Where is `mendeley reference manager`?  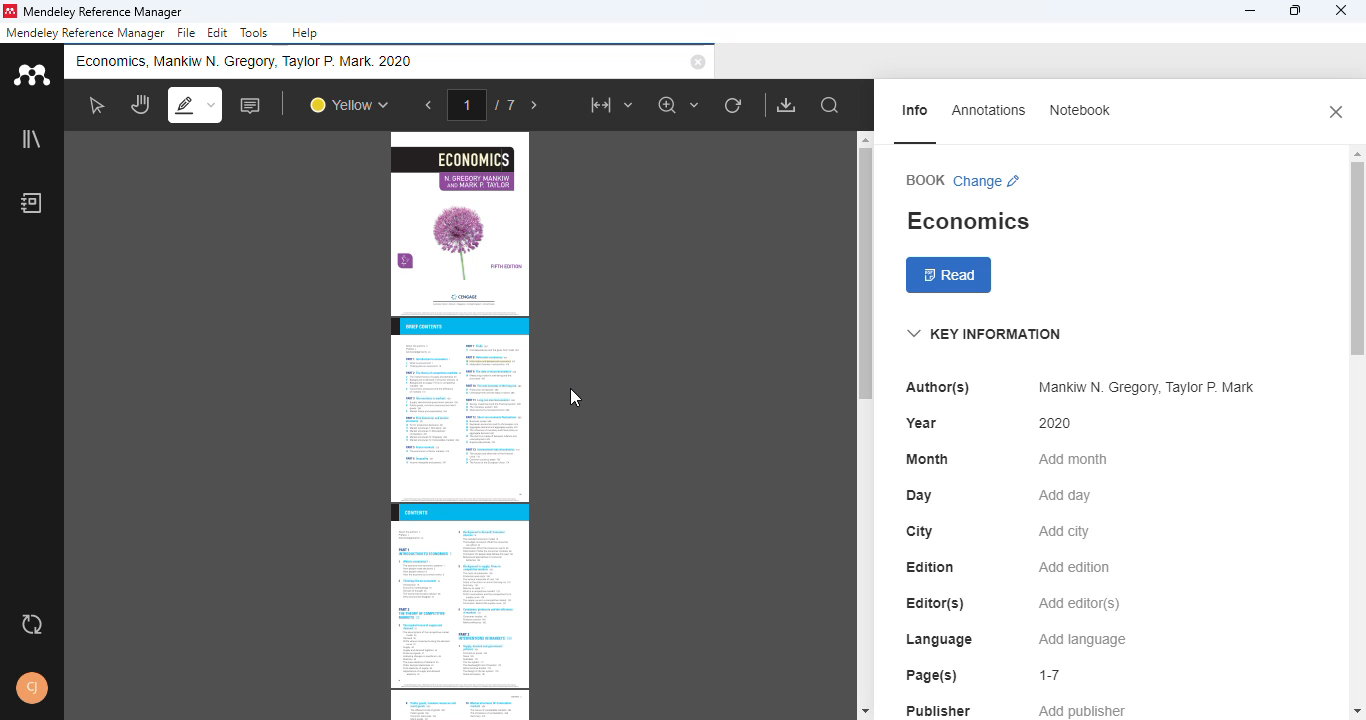 mendeley reference manager is located at coordinates (102, 13).